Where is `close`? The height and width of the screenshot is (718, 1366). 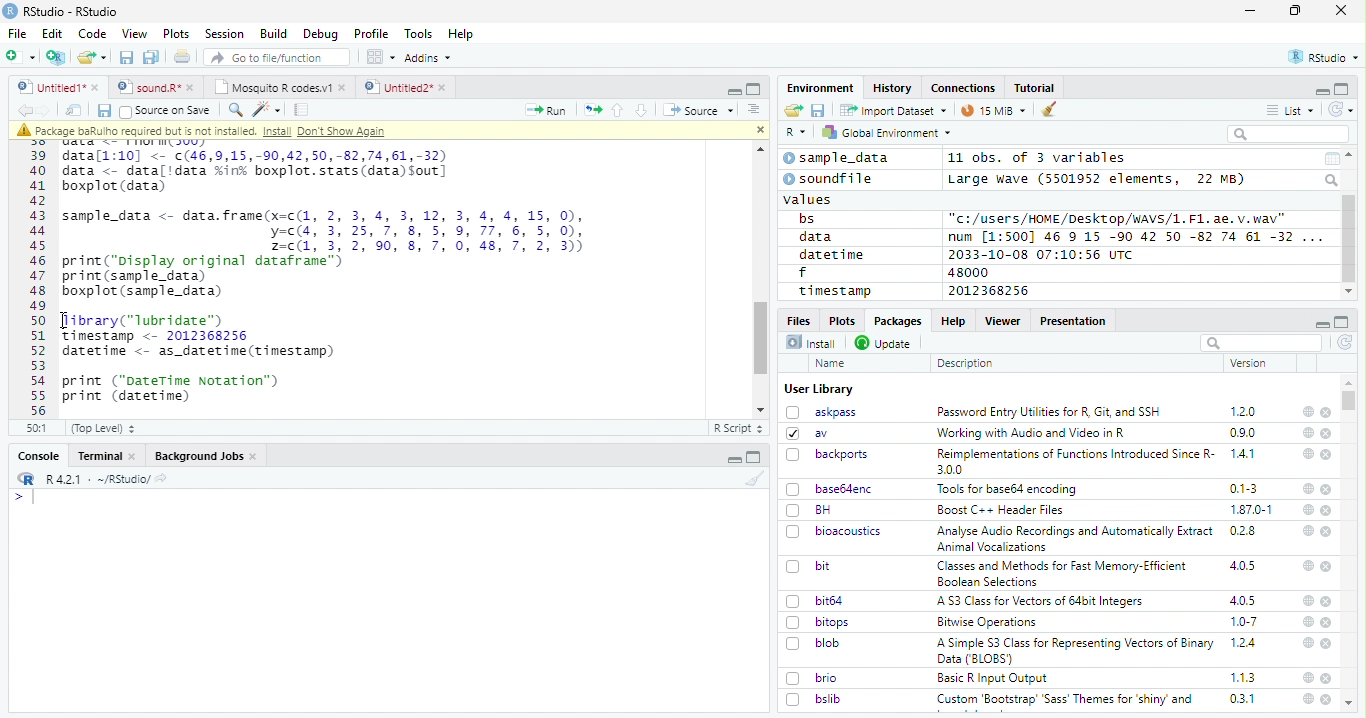 close is located at coordinates (1327, 455).